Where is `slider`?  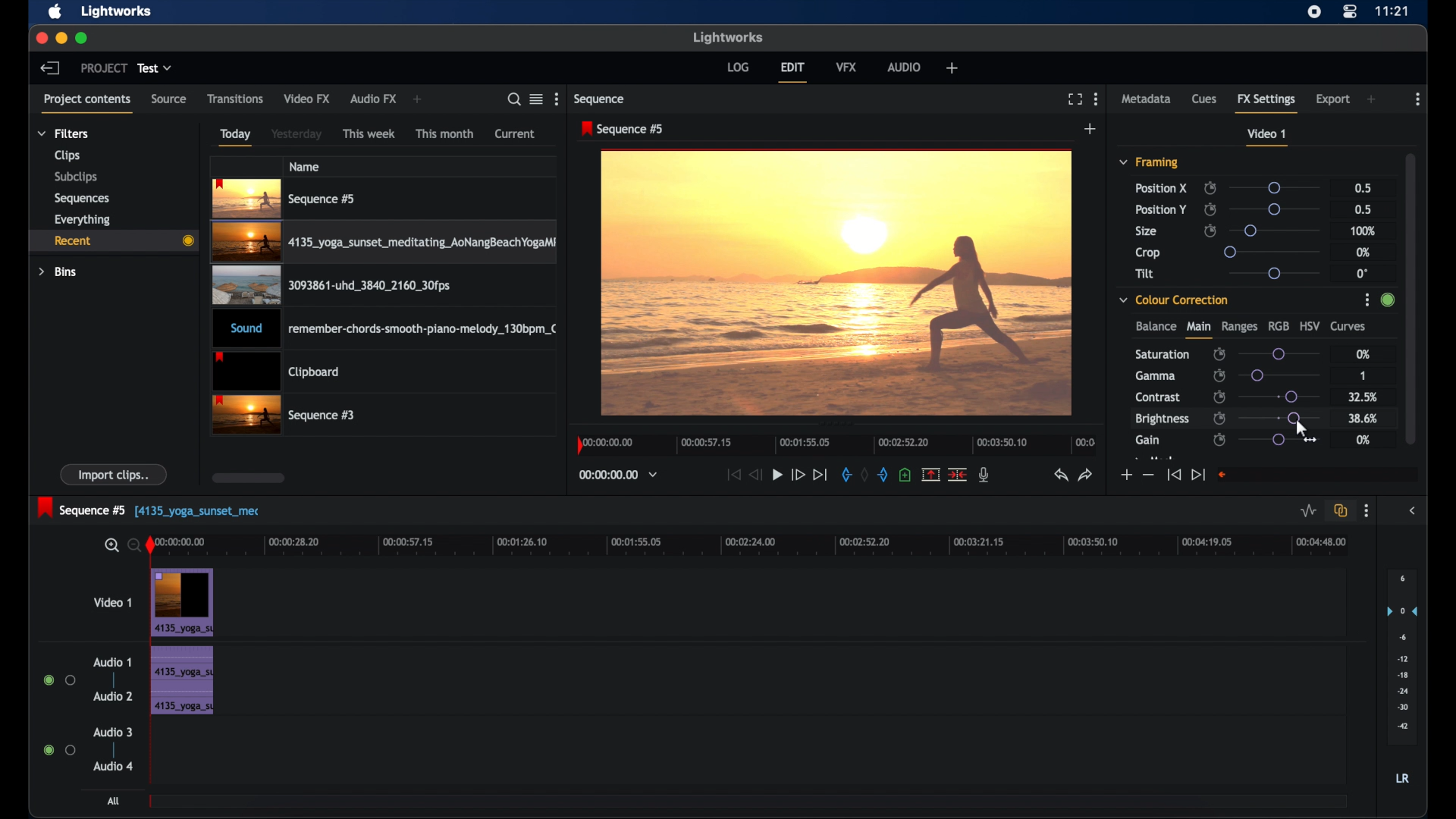 slider is located at coordinates (1273, 188).